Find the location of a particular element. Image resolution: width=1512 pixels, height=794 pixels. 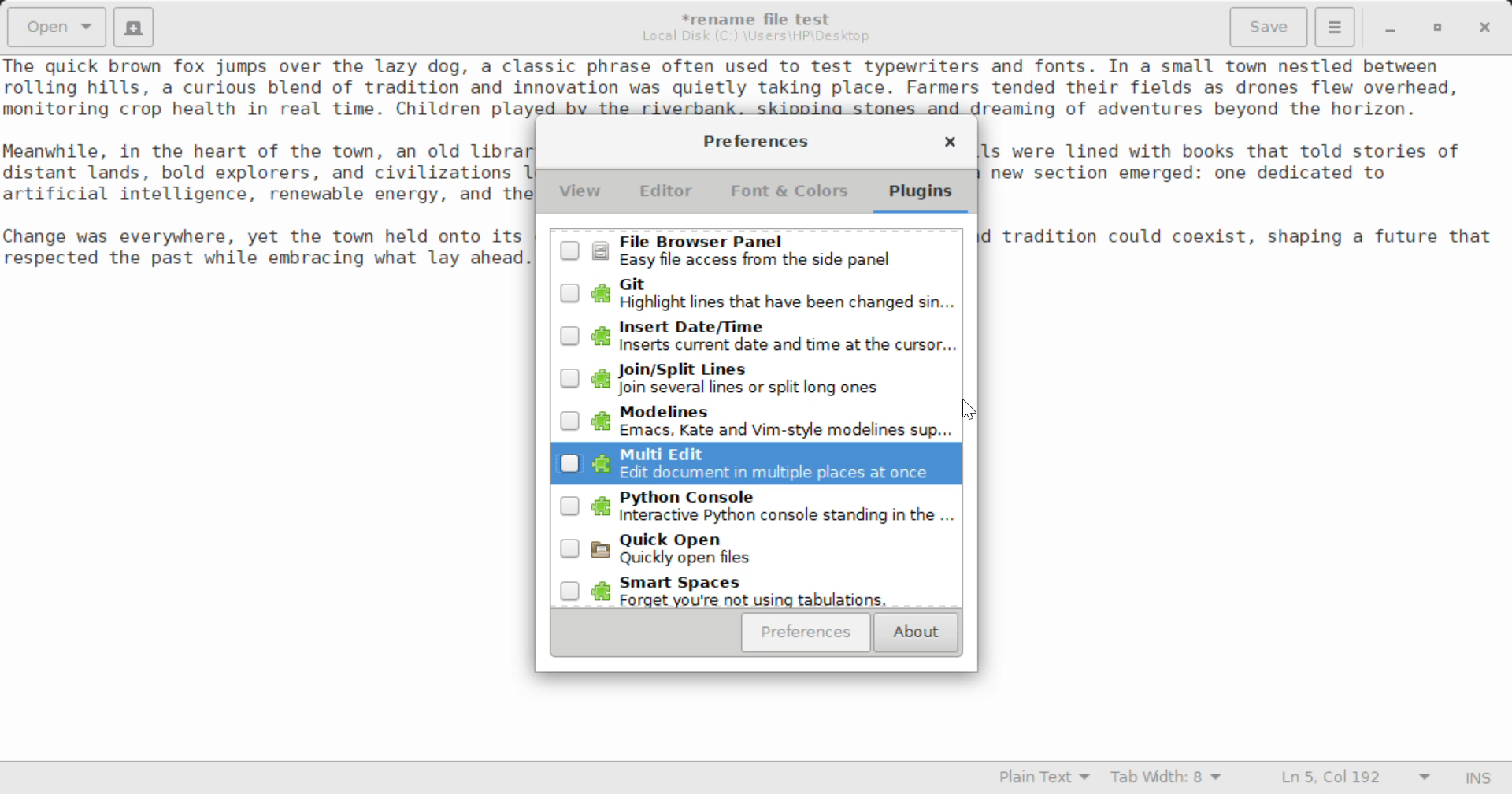

Down Arrow to Multi Edit Plugin Button Unselected is located at coordinates (755, 464).